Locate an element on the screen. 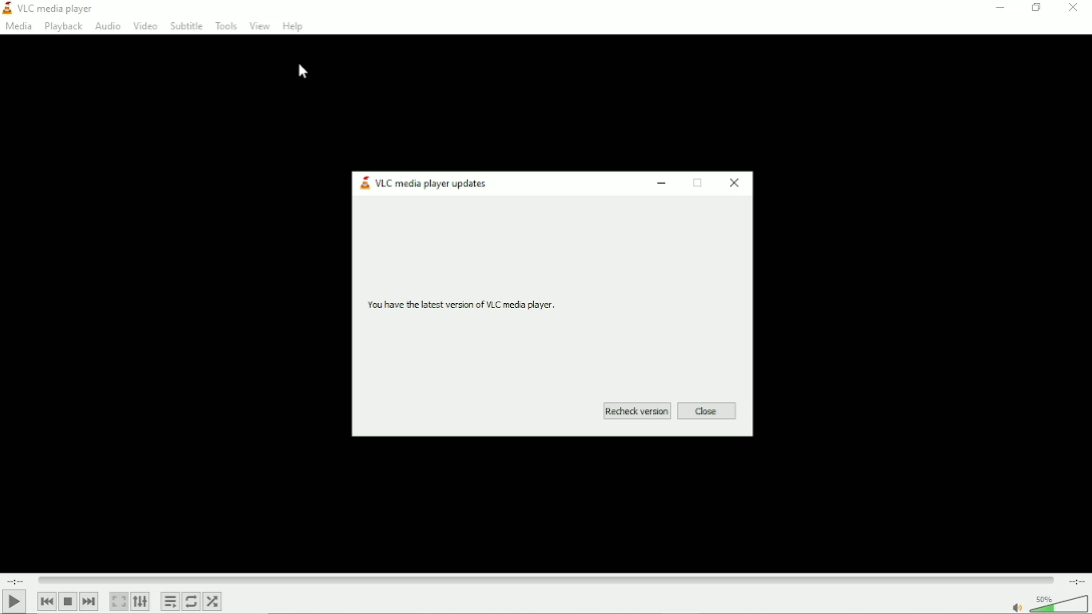 This screenshot has height=614, width=1092. Recheck version is located at coordinates (636, 411).